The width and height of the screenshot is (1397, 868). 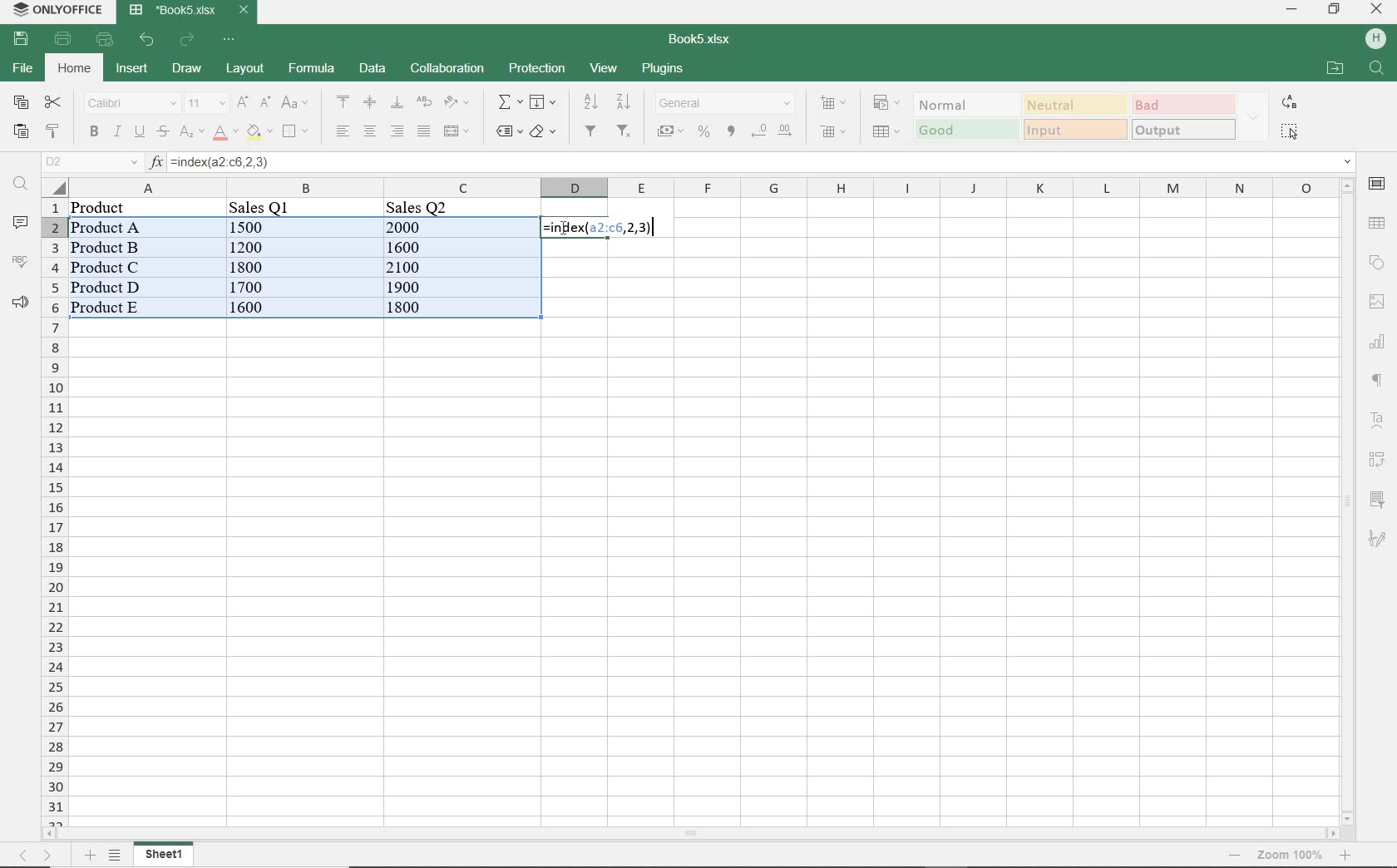 What do you see at coordinates (186, 68) in the screenshot?
I see `draw` at bounding box center [186, 68].